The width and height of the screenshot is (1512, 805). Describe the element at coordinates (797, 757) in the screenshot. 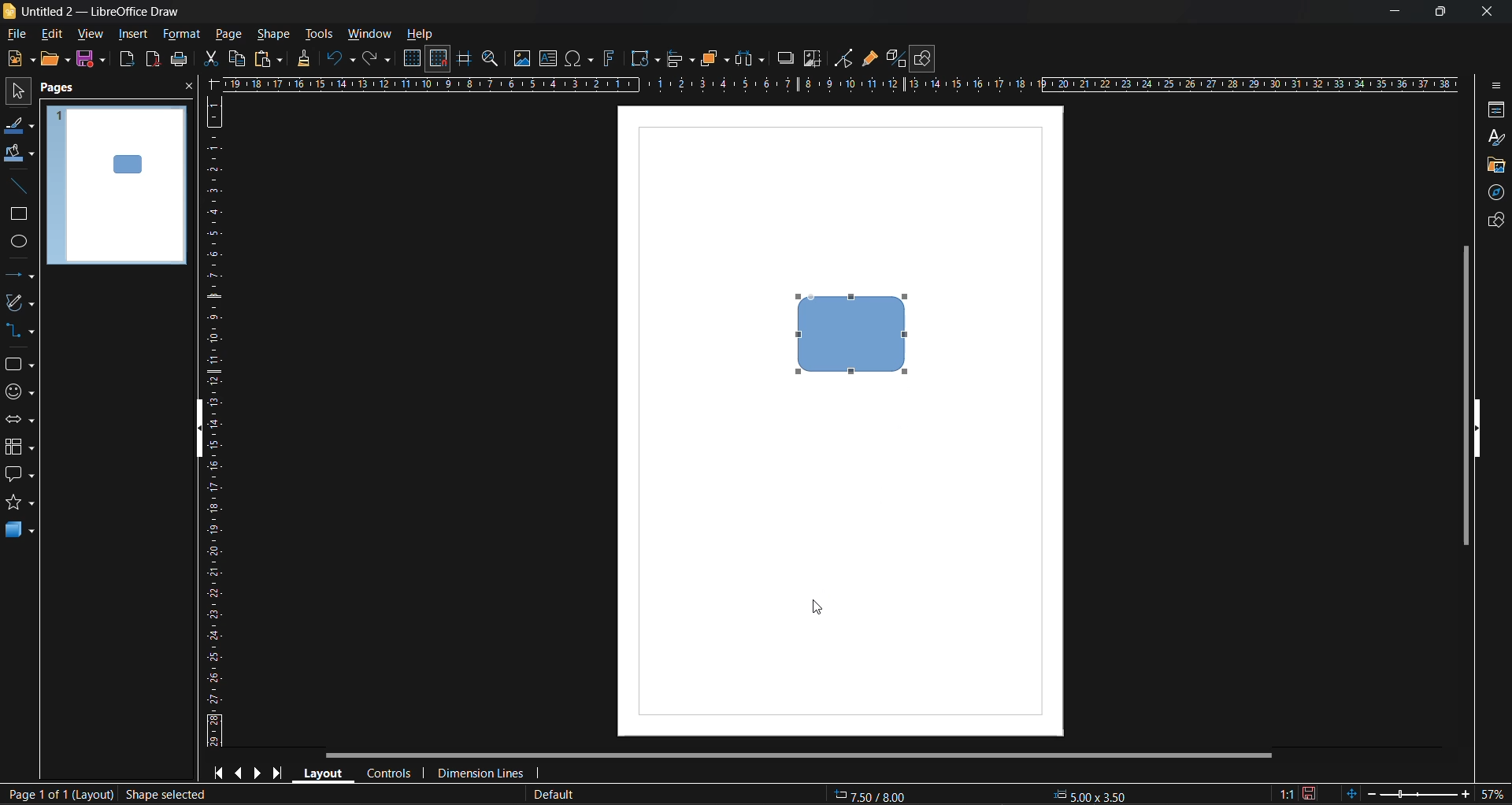

I see `horizontal scroll bar` at that location.